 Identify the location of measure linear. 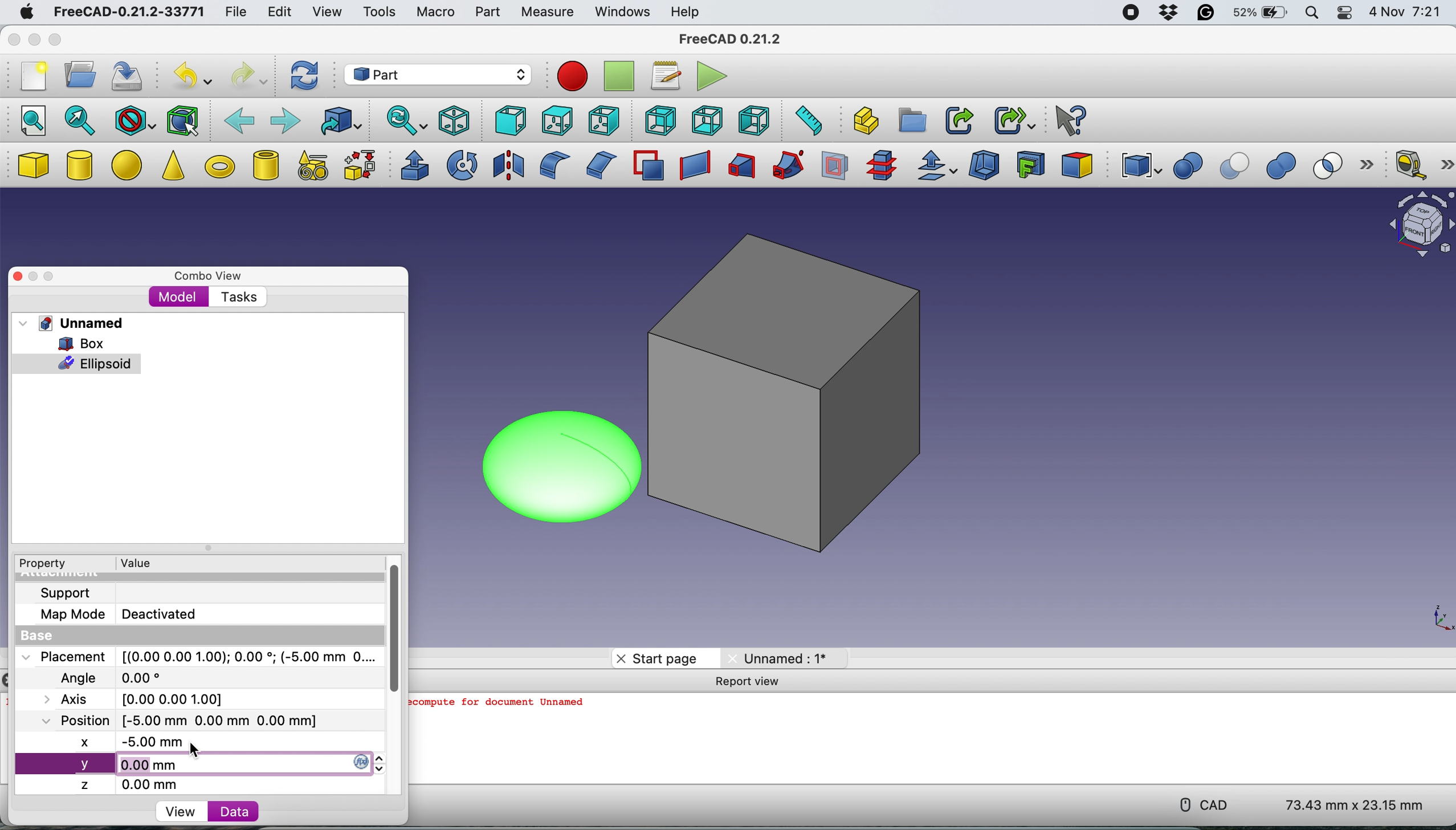
(1409, 164).